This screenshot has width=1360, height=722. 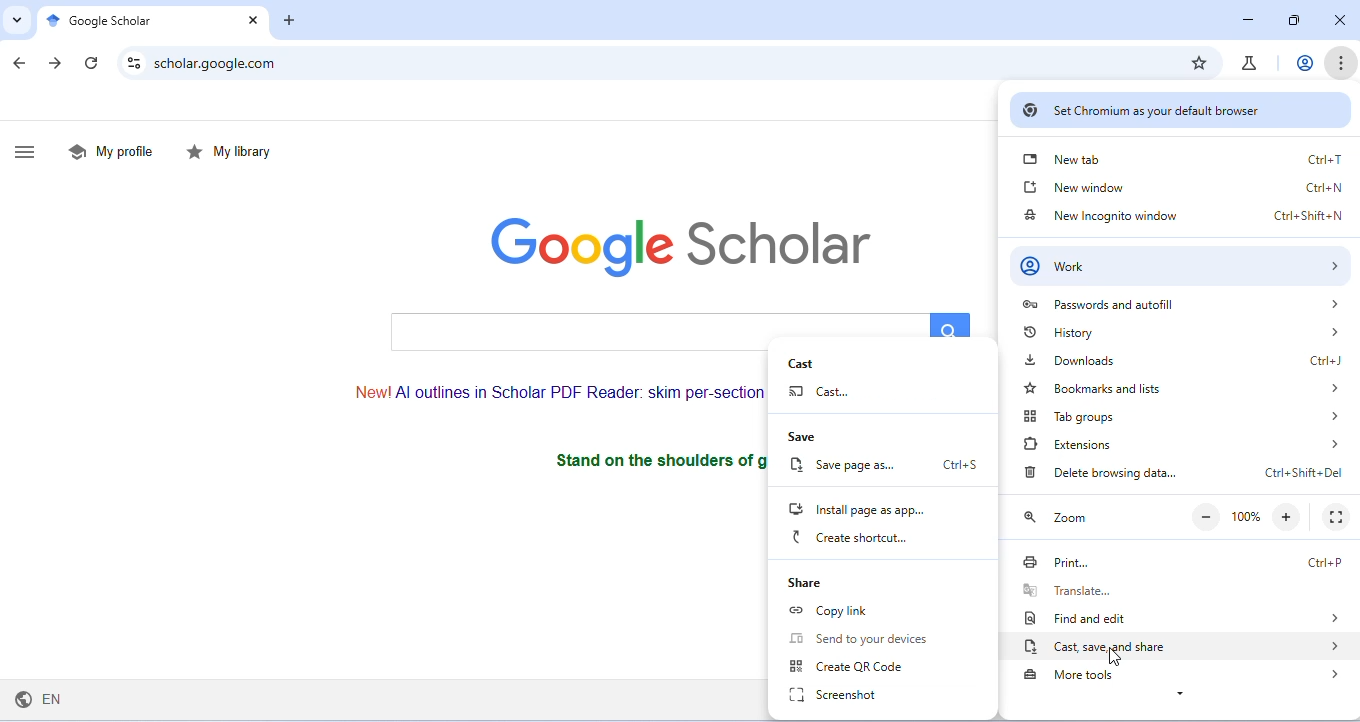 I want to click on google scholar logo, so click(x=682, y=242).